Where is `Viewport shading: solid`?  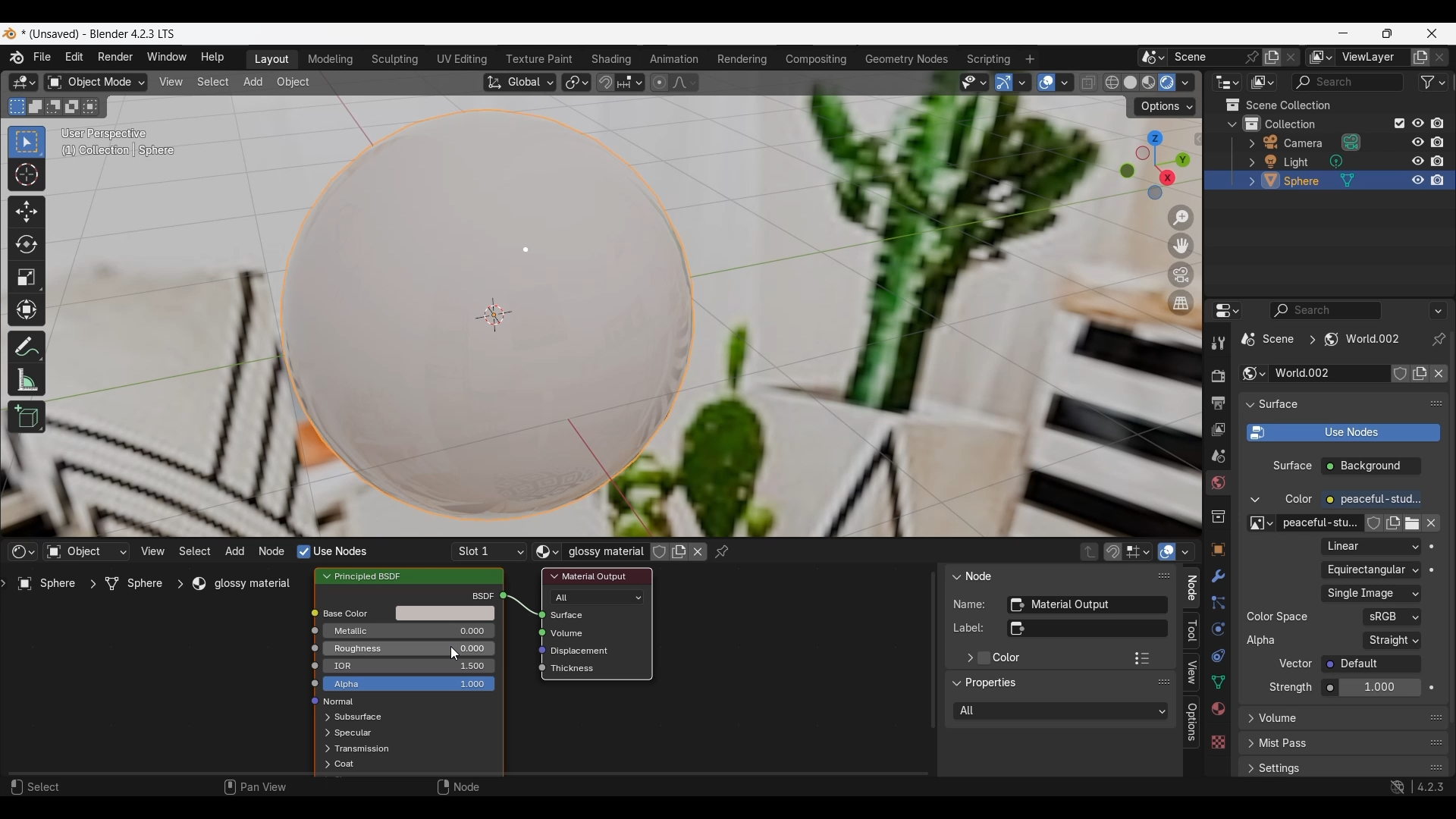
Viewport shading: solid is located at coordinates (1130, 82).